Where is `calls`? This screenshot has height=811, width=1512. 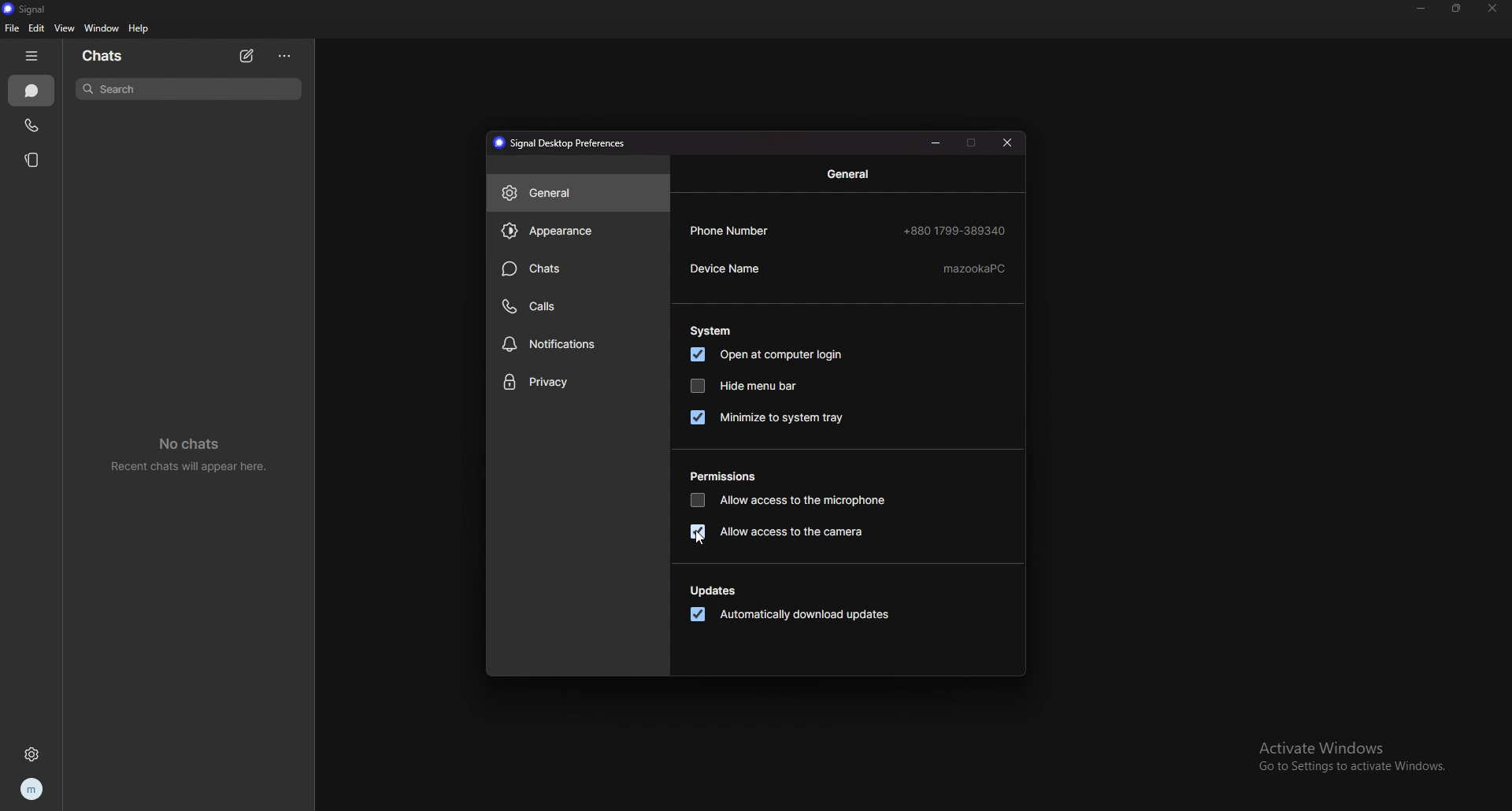
calls is located at coordinates (35, 124).